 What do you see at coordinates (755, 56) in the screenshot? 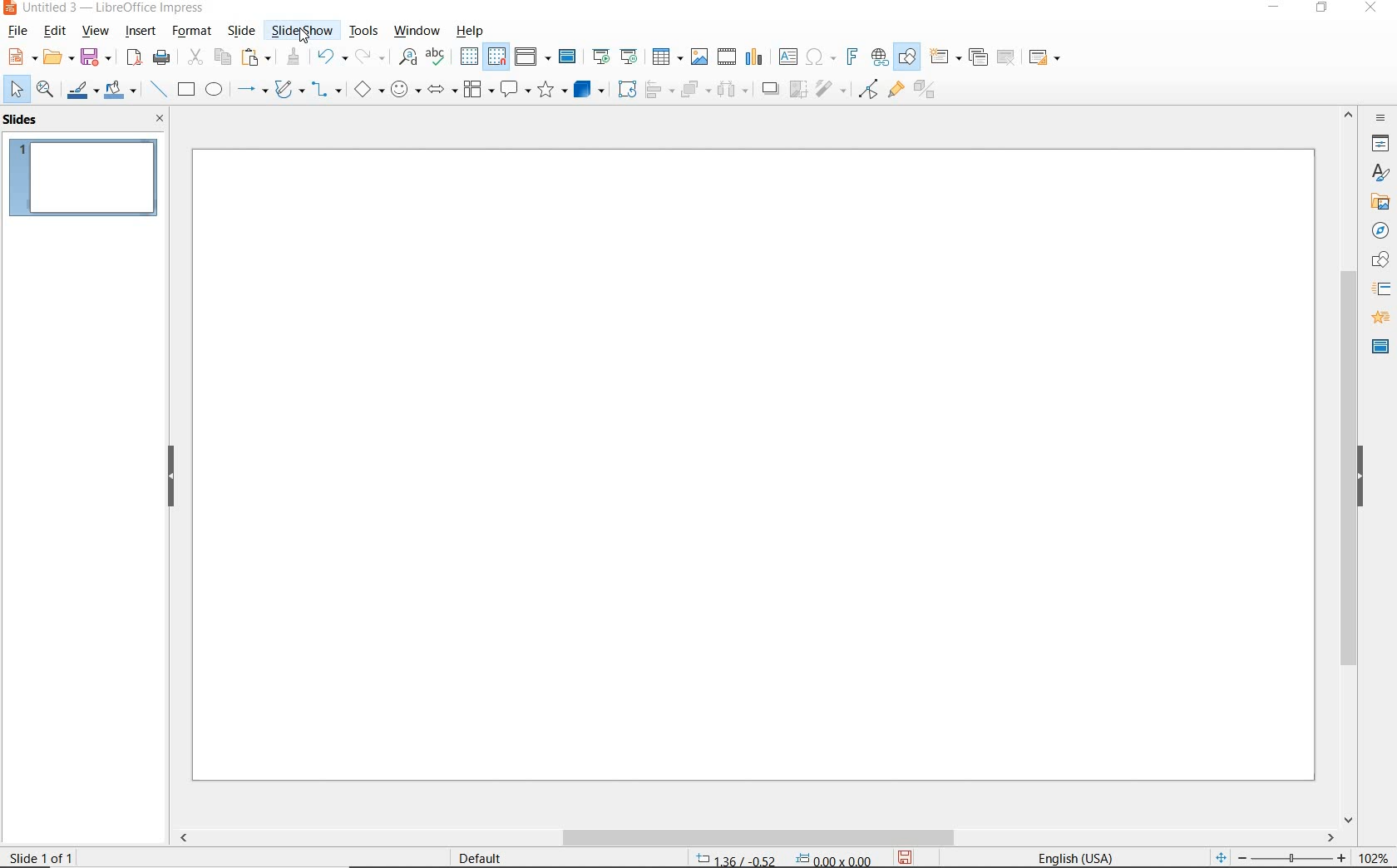
I see `INSERT CHART` at bounding box center [755, 56].